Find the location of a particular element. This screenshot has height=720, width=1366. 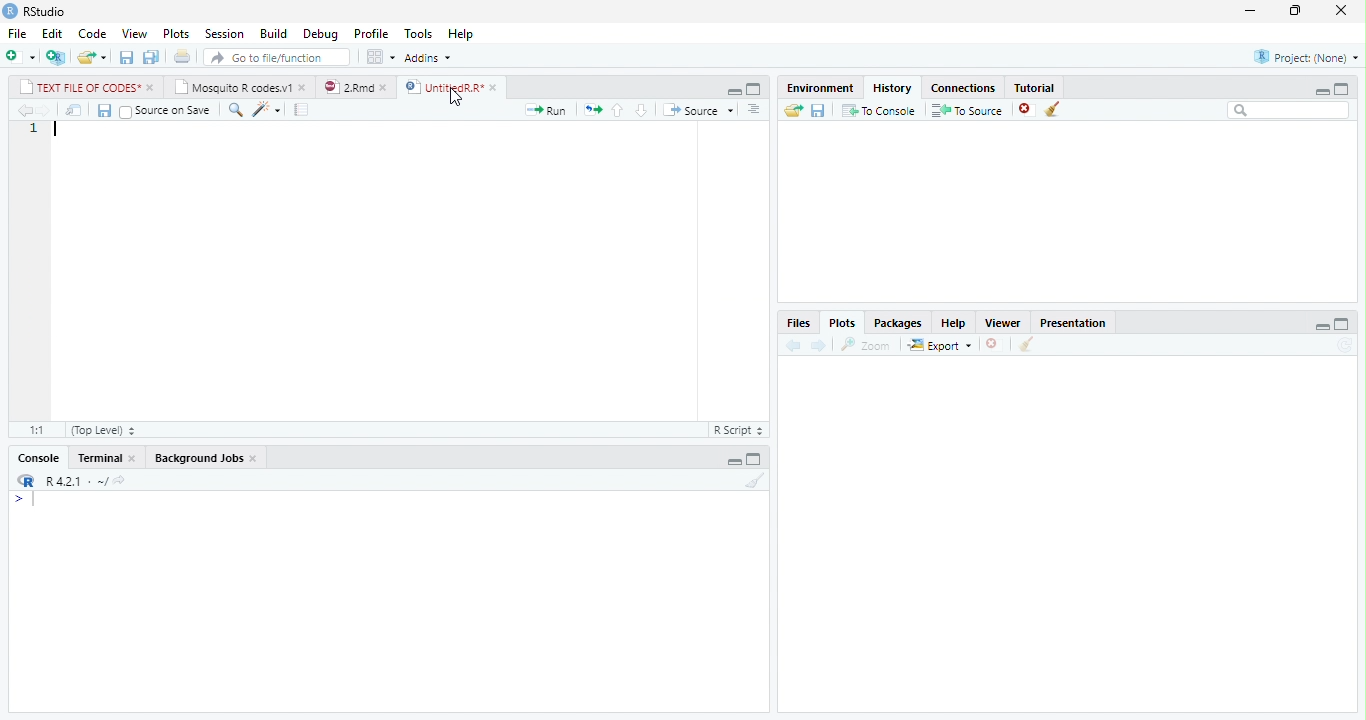

minimize is located at coordinates (734, 92).